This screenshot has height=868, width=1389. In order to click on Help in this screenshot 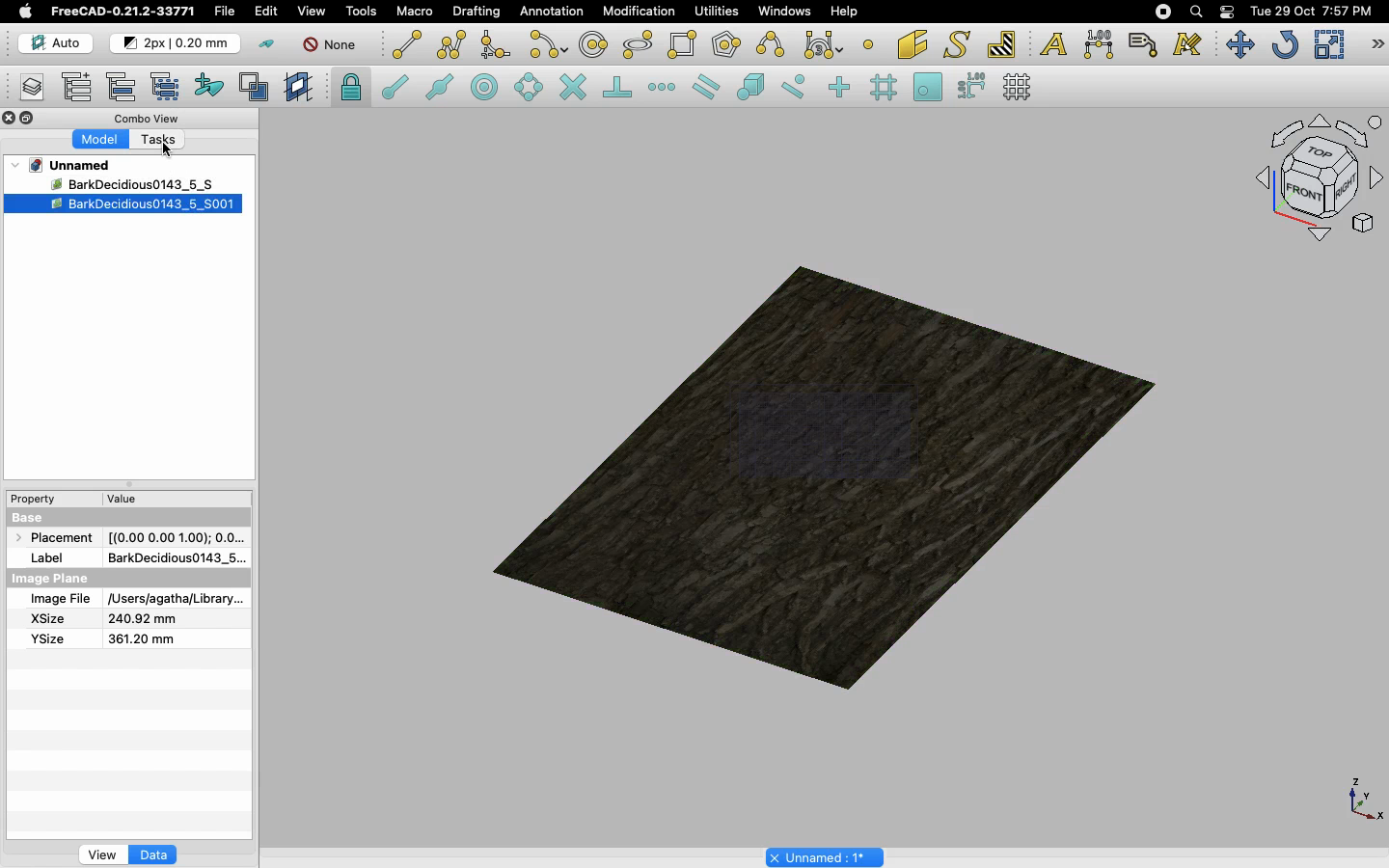, I will do `click(844, 11)`.